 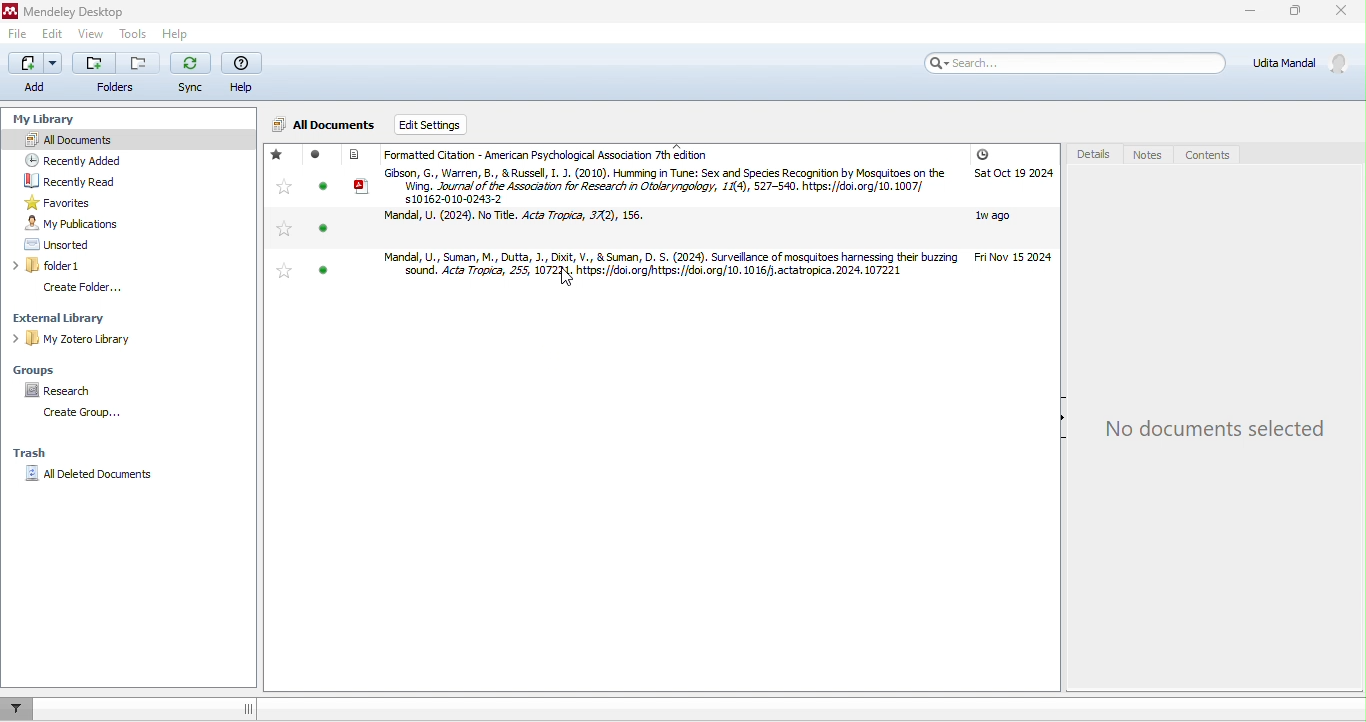 I want to click on research, so click(x=61, y=389).